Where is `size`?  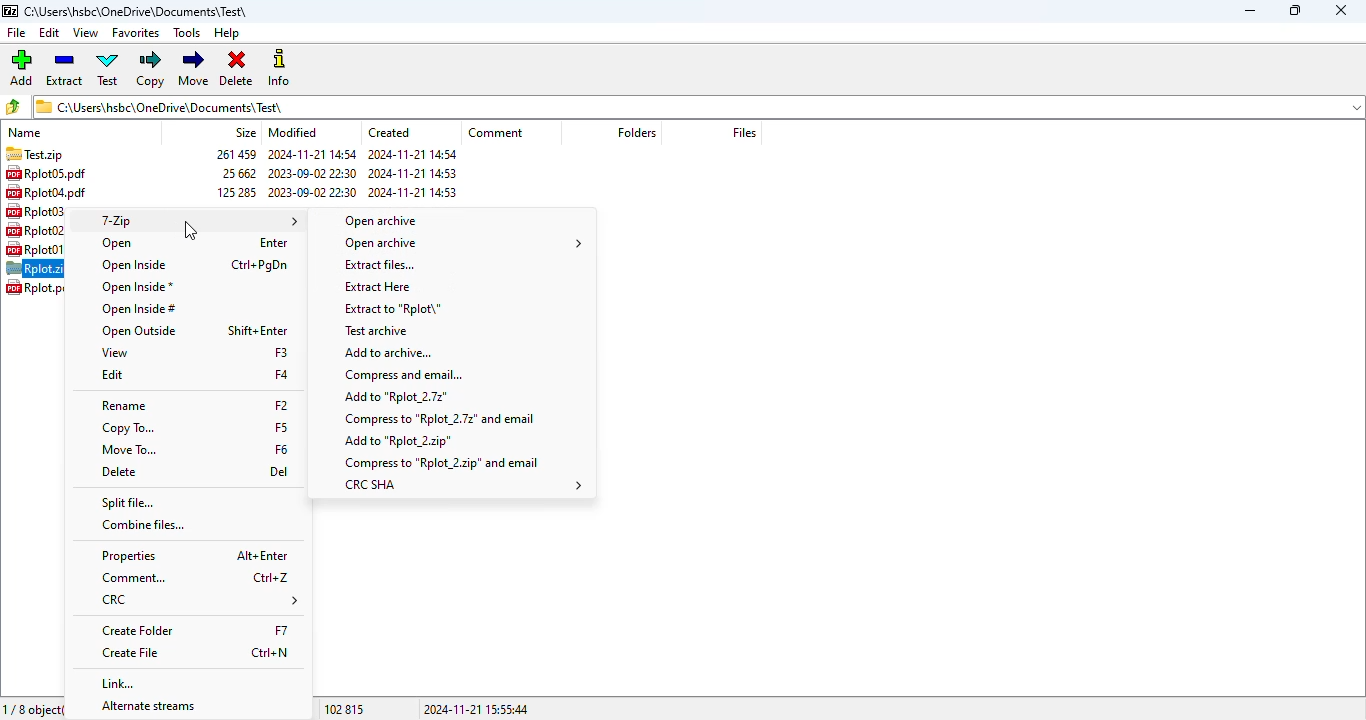 size is located at coordinates (234, 174).